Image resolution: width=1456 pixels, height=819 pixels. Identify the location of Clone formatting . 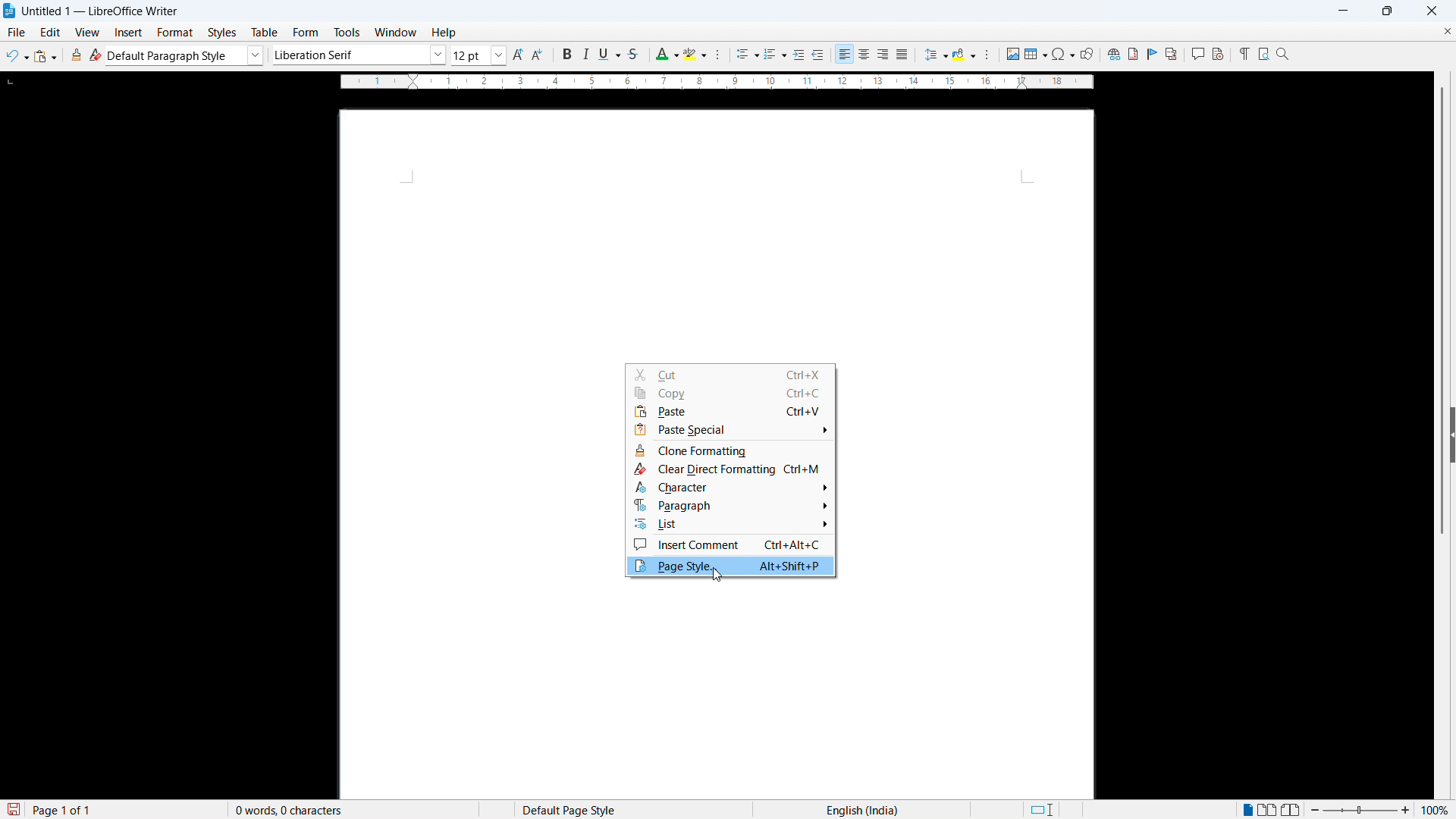
(77, 55).